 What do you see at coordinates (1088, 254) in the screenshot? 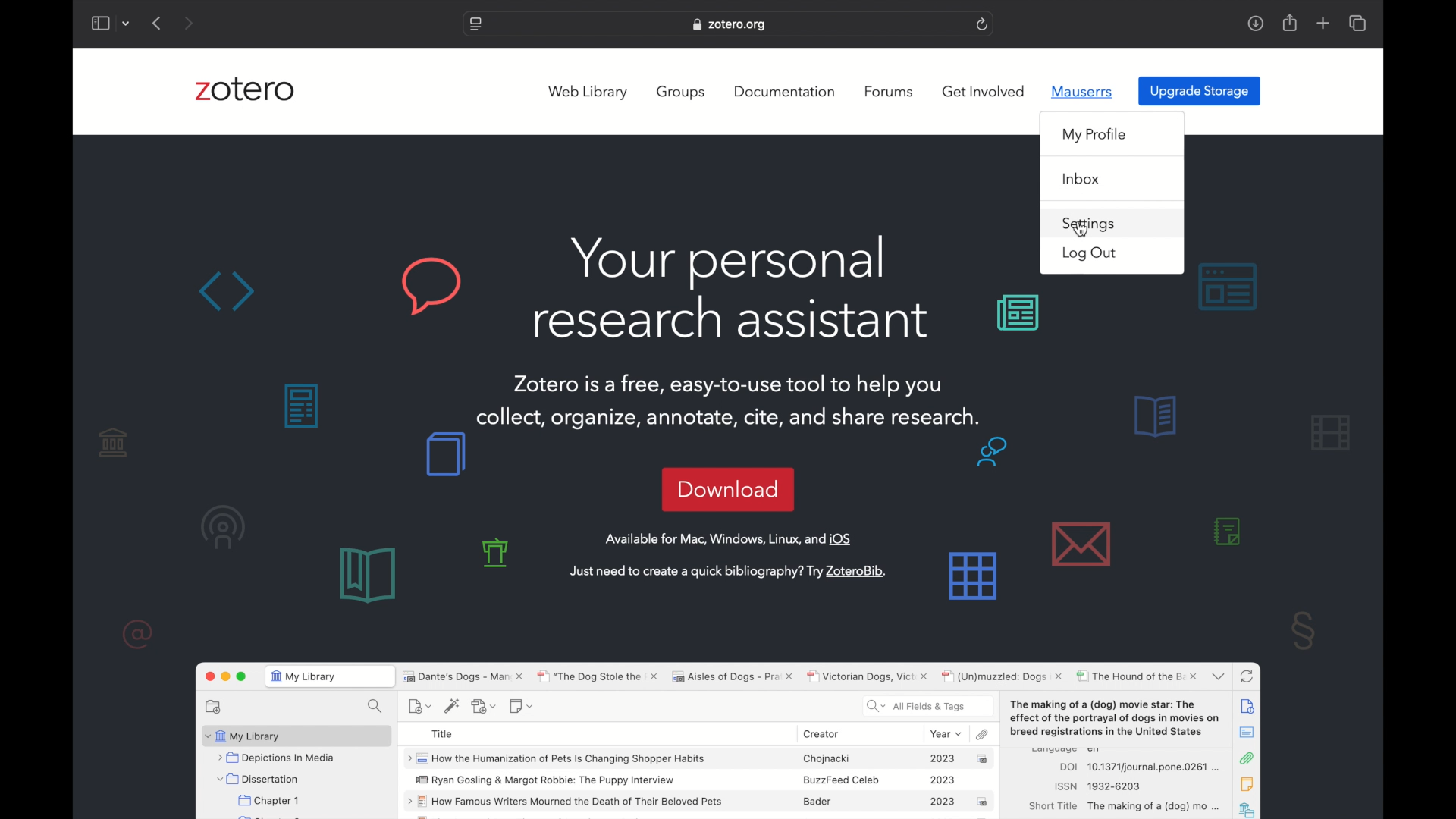
I see `log out` at bounding box center [1088, 254].